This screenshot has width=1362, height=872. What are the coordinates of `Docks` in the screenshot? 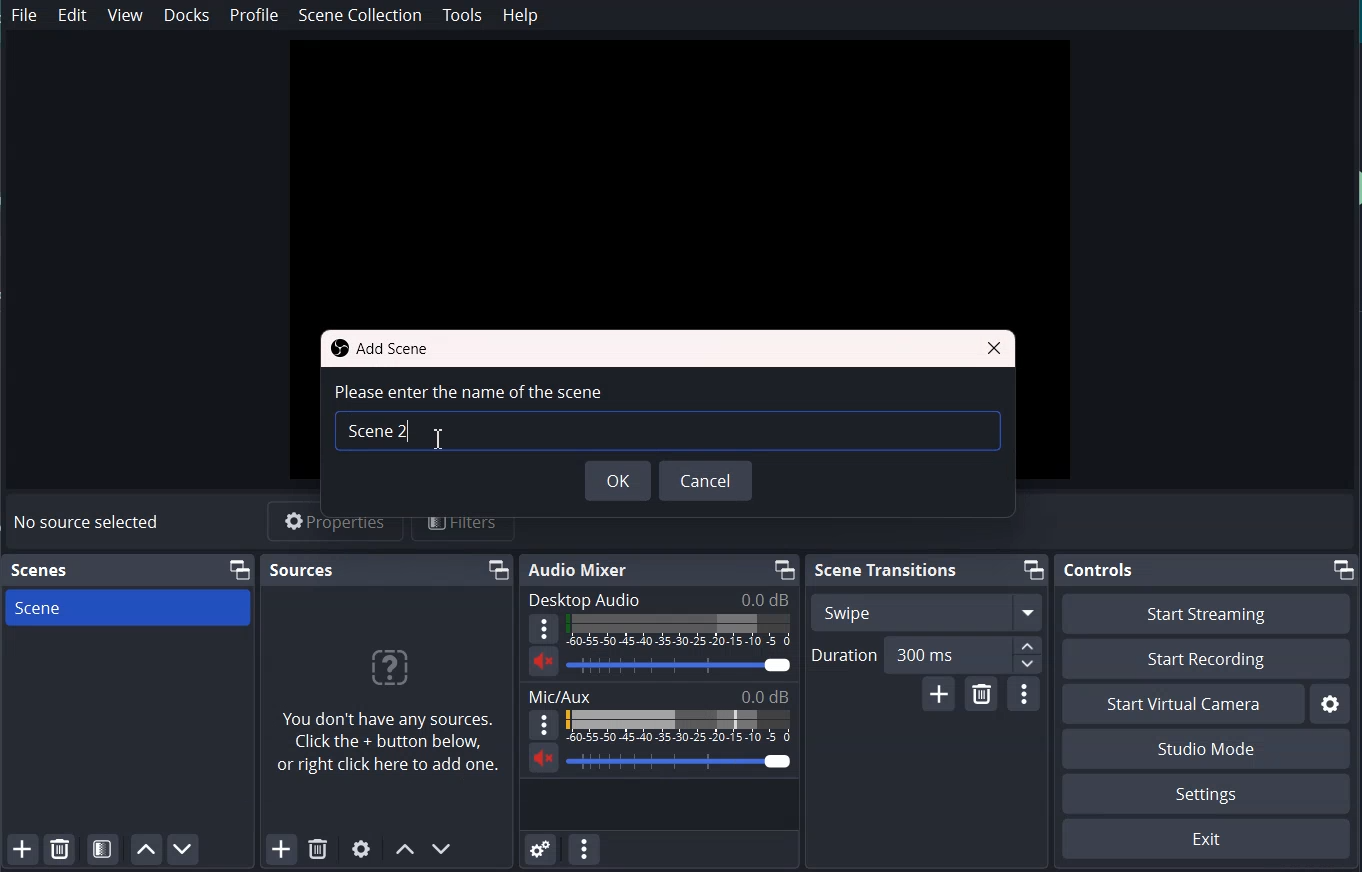 It's located at (187, 15).